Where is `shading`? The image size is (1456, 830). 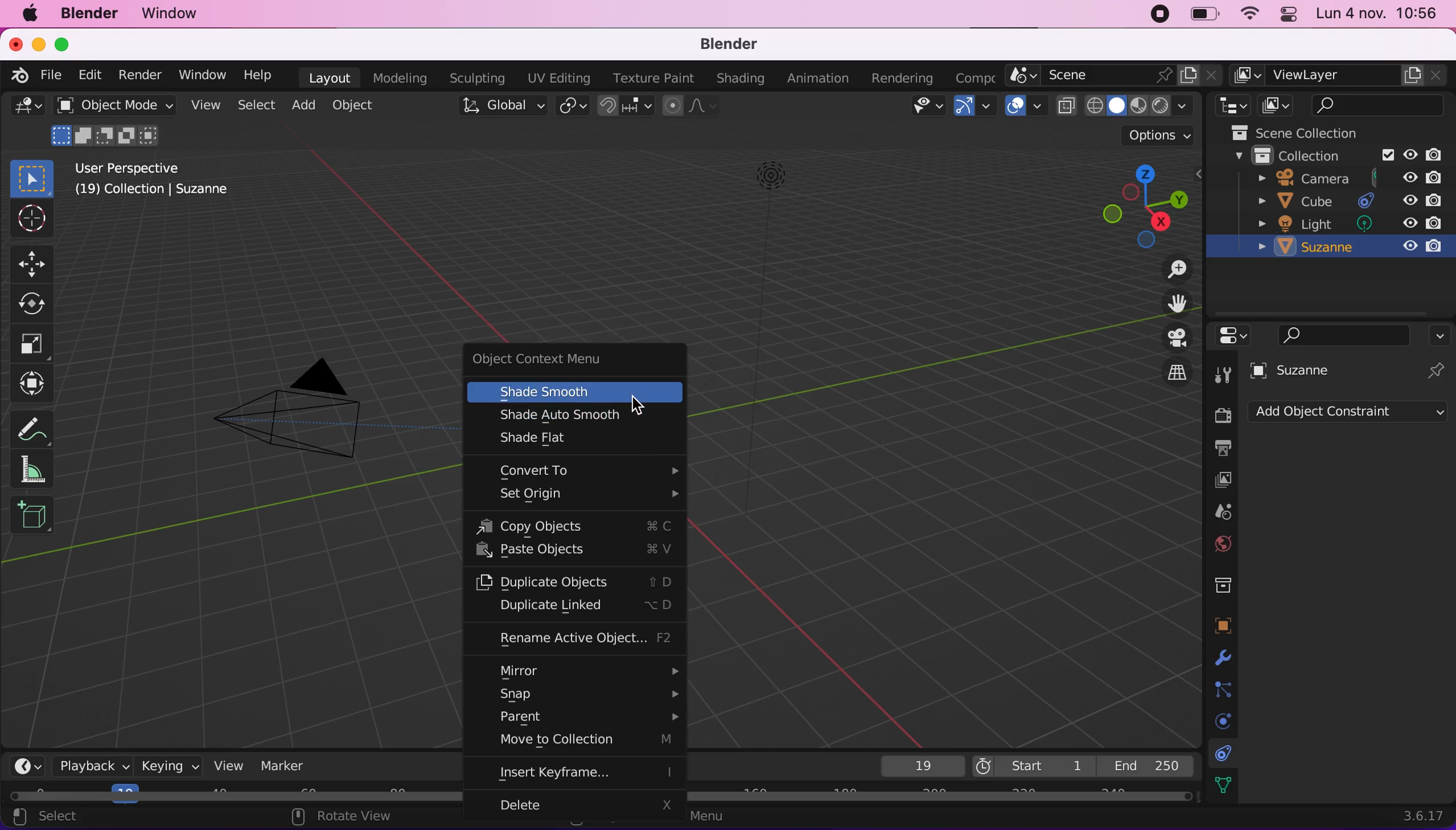 shading is located at coordinates (1183, 106).